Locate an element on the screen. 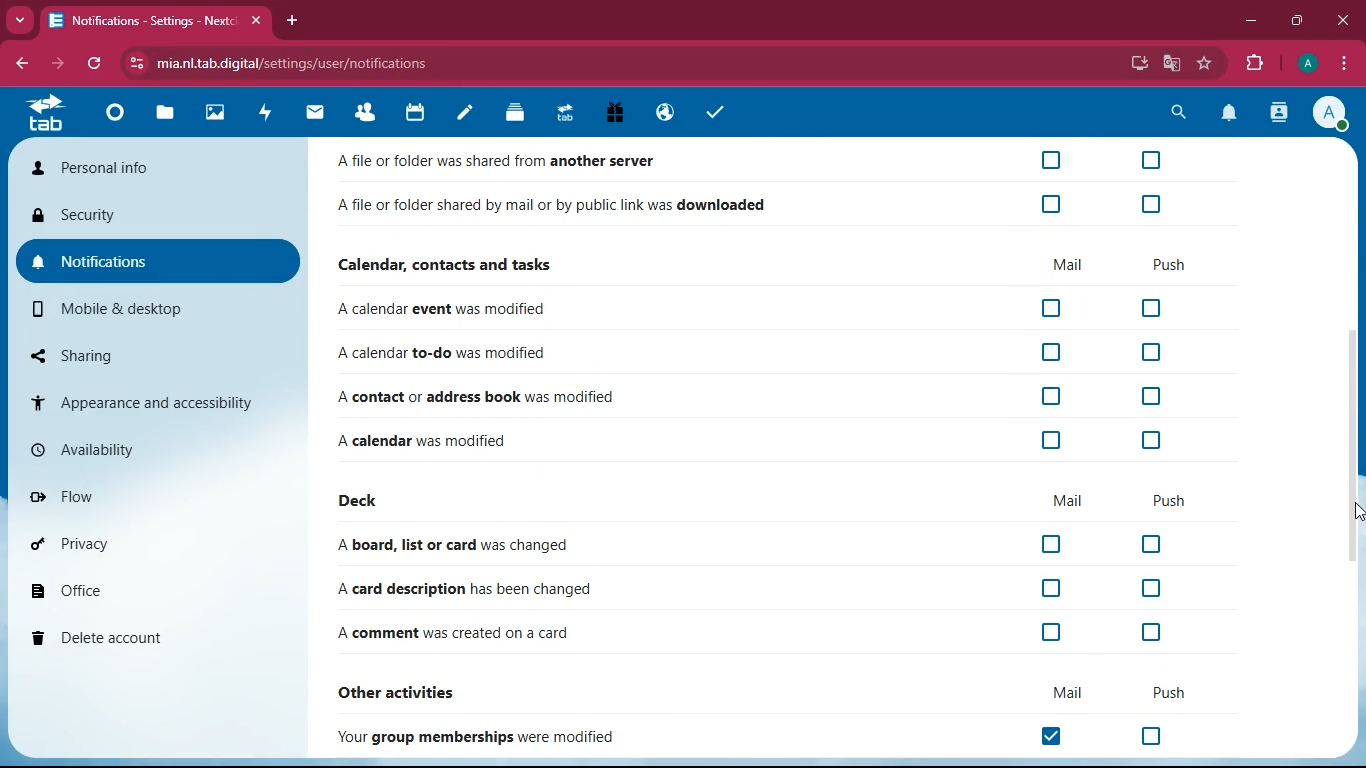 The width and height of the screenshot is (1366, 768). mia.nl.tab.digital/settings/user/notifications is located at coordinates (303, 63).